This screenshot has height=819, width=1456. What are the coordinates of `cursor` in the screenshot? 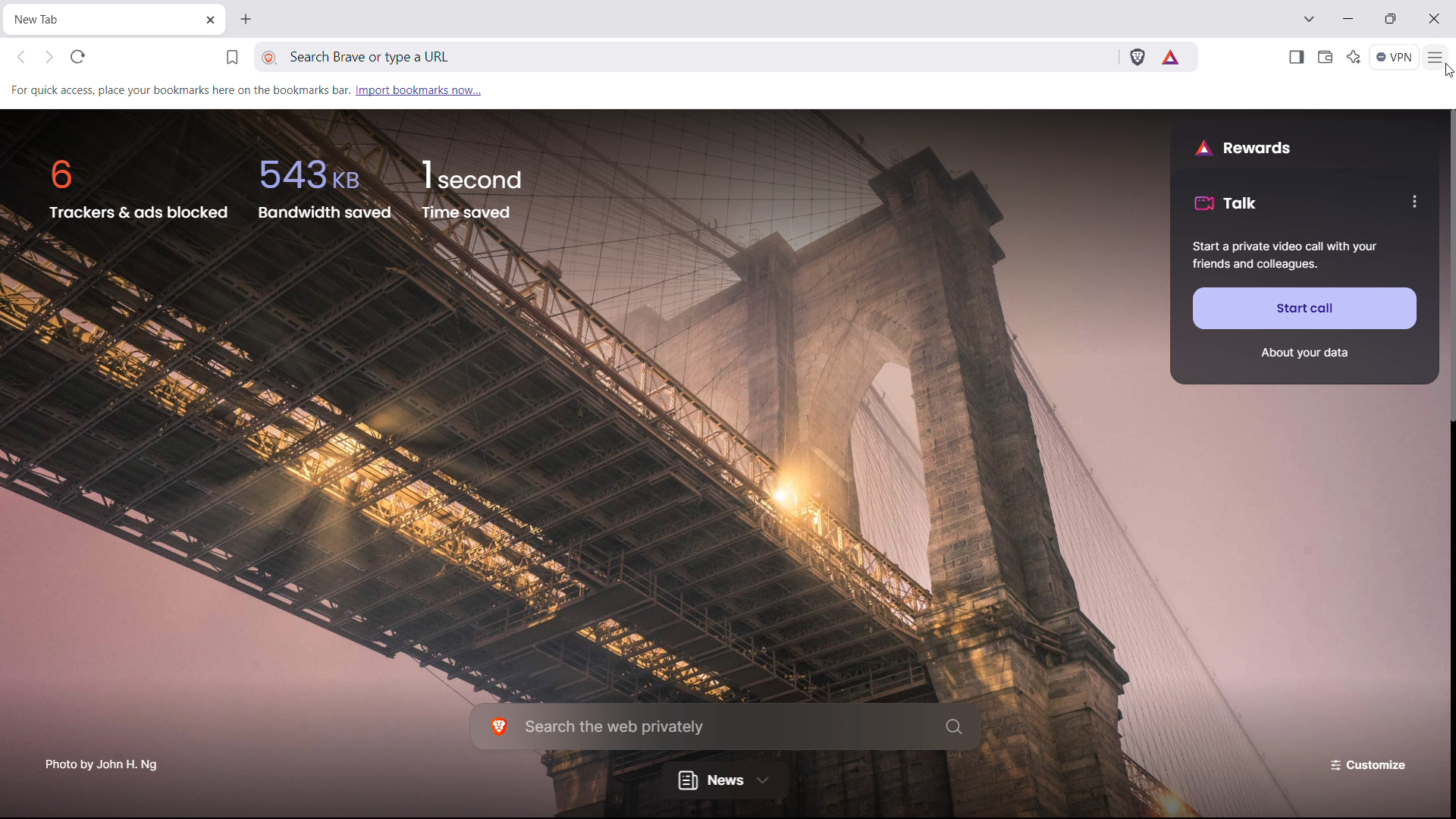 It's located at (1445, 72).